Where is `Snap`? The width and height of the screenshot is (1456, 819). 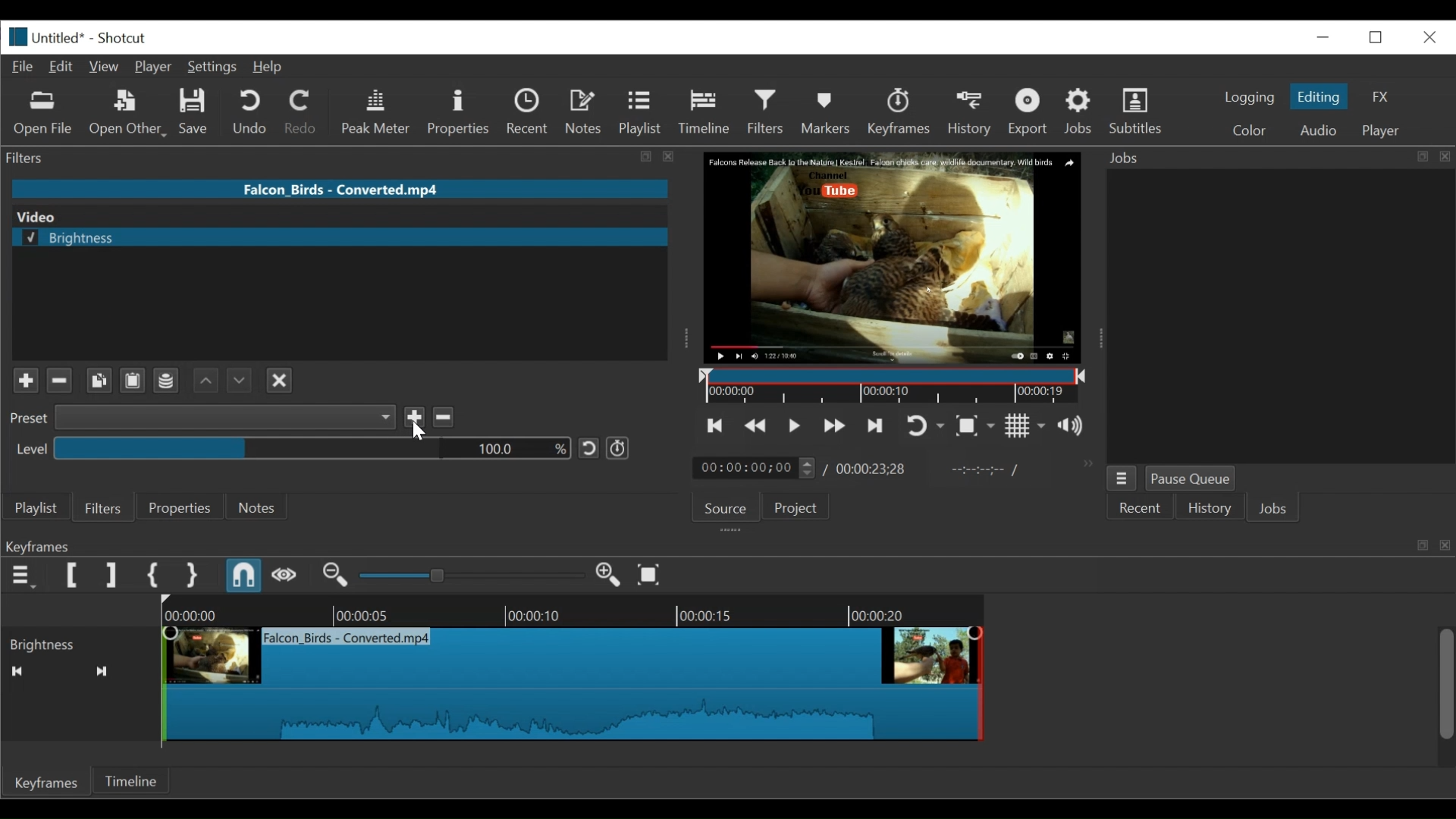 Snap is located at coordinates (245, 576).